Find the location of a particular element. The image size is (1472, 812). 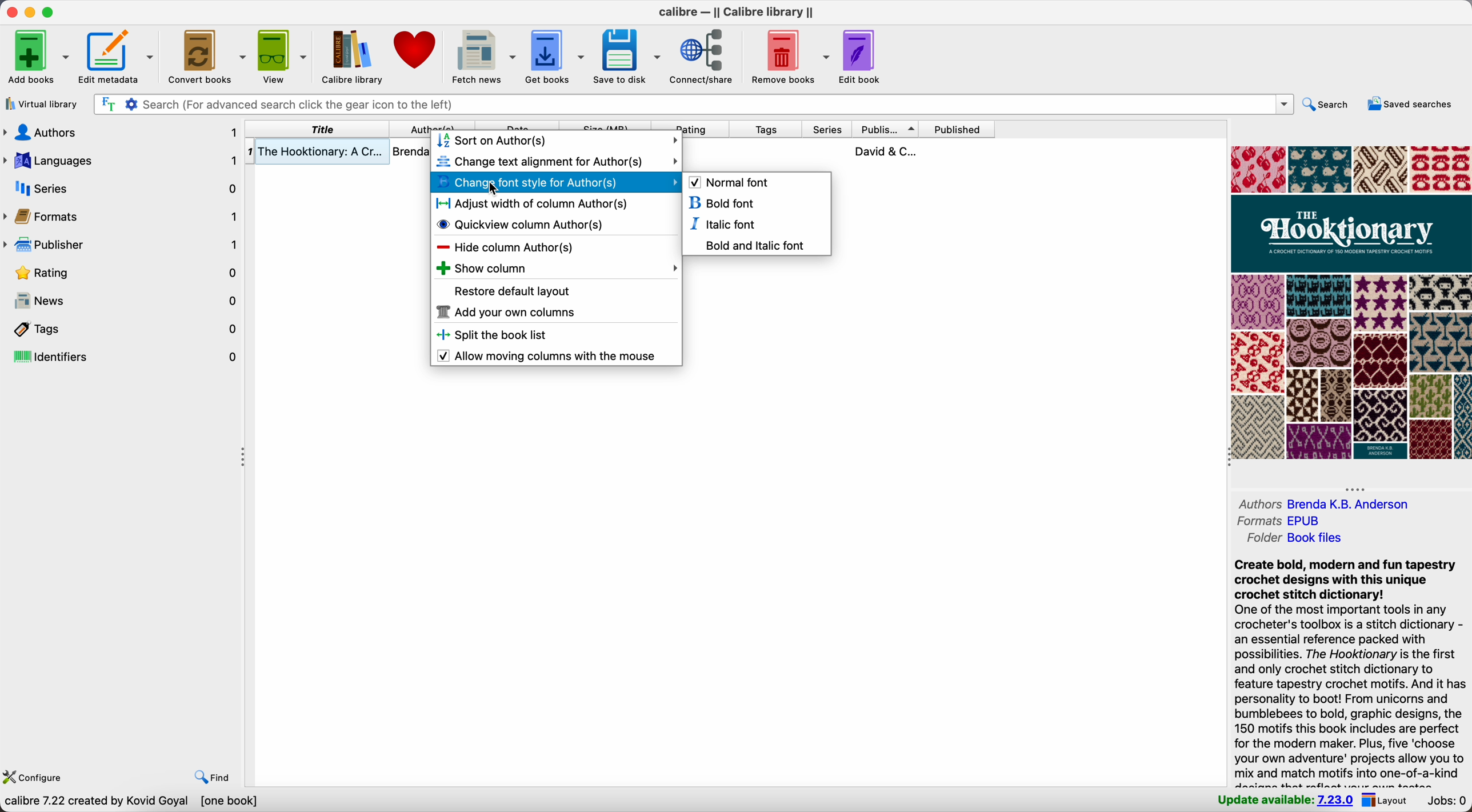

data is located at coordinates (133, 802).